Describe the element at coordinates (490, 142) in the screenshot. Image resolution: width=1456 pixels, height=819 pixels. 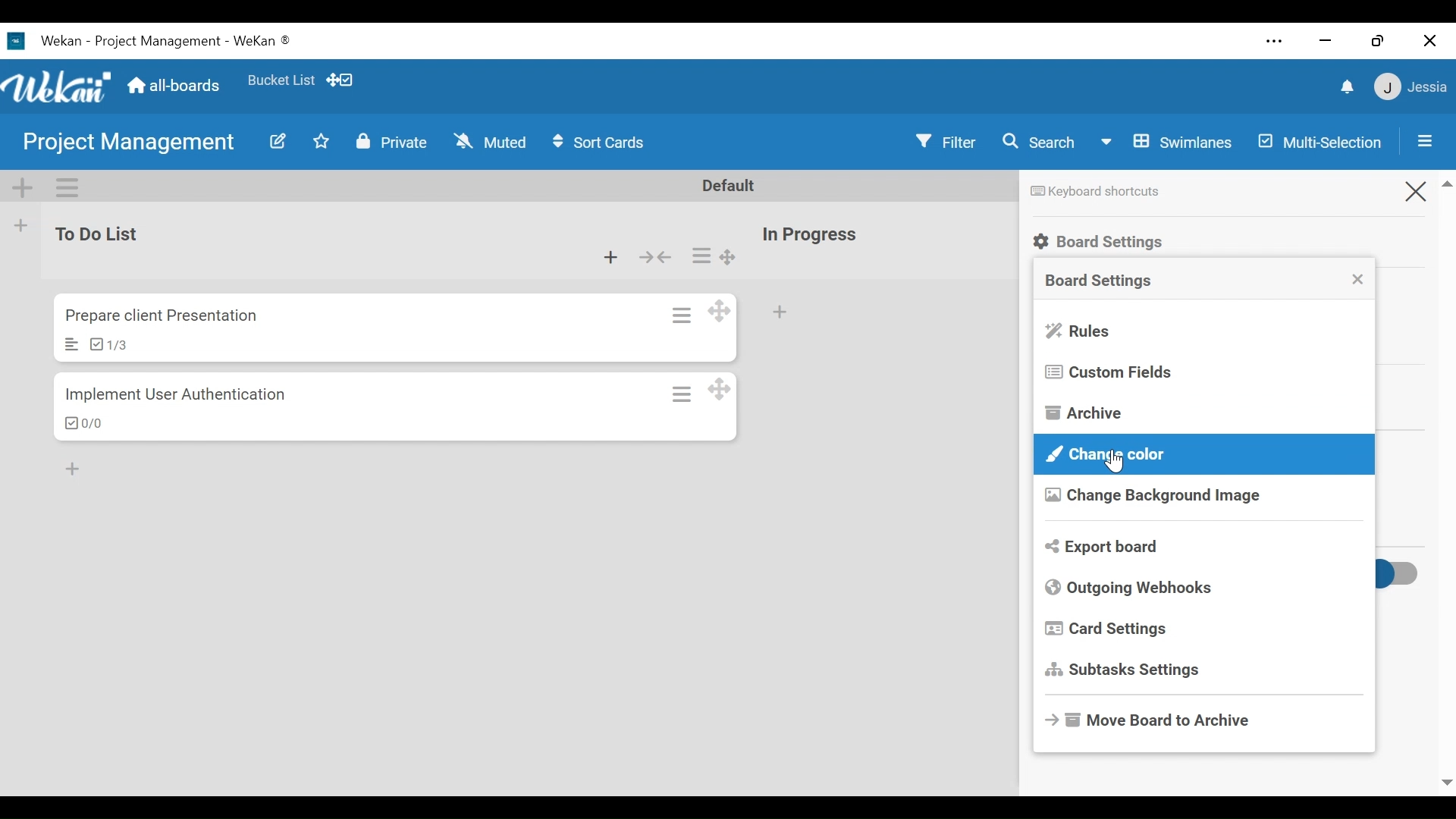
I see `Muted` at that location.